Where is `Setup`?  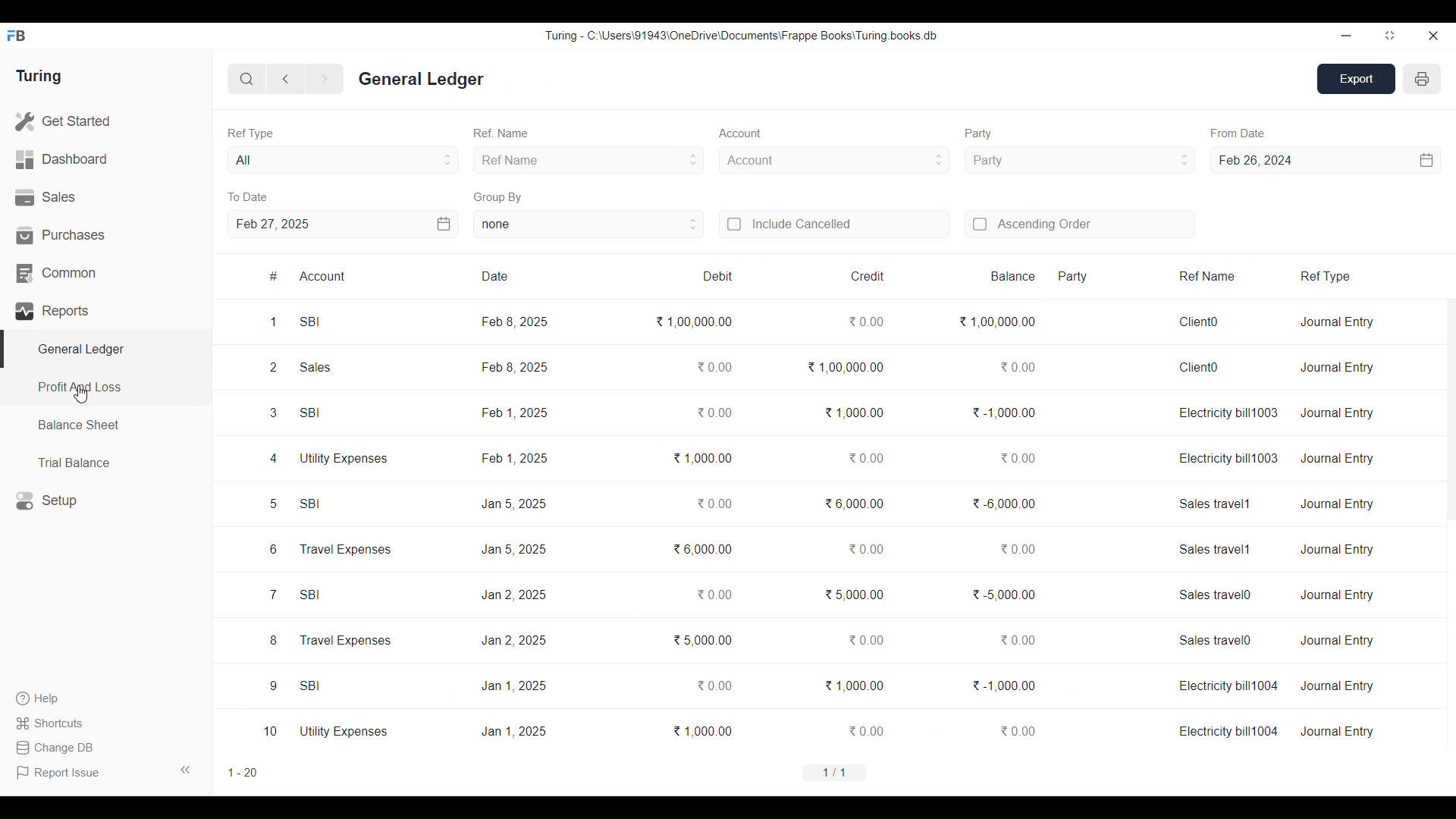 Setup is located at coordinates (106, 500).